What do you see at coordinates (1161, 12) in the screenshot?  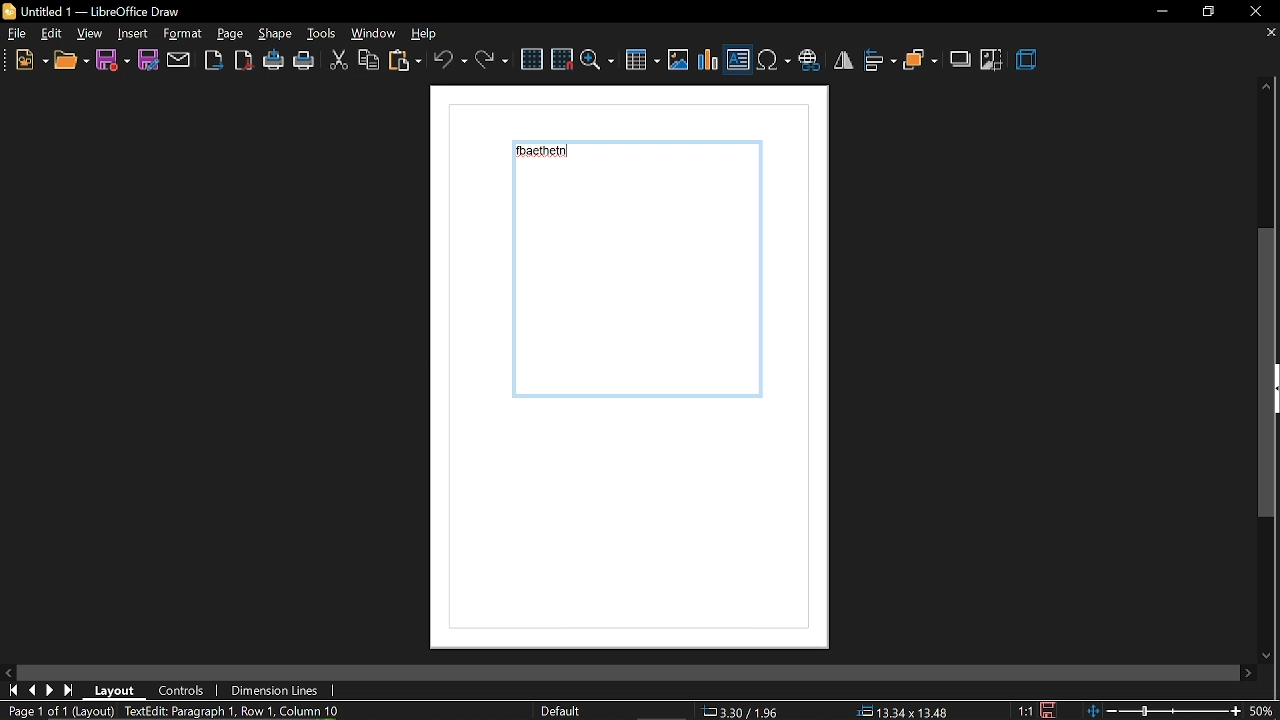 I see `Minimize` at bounding box center [1161, 12].